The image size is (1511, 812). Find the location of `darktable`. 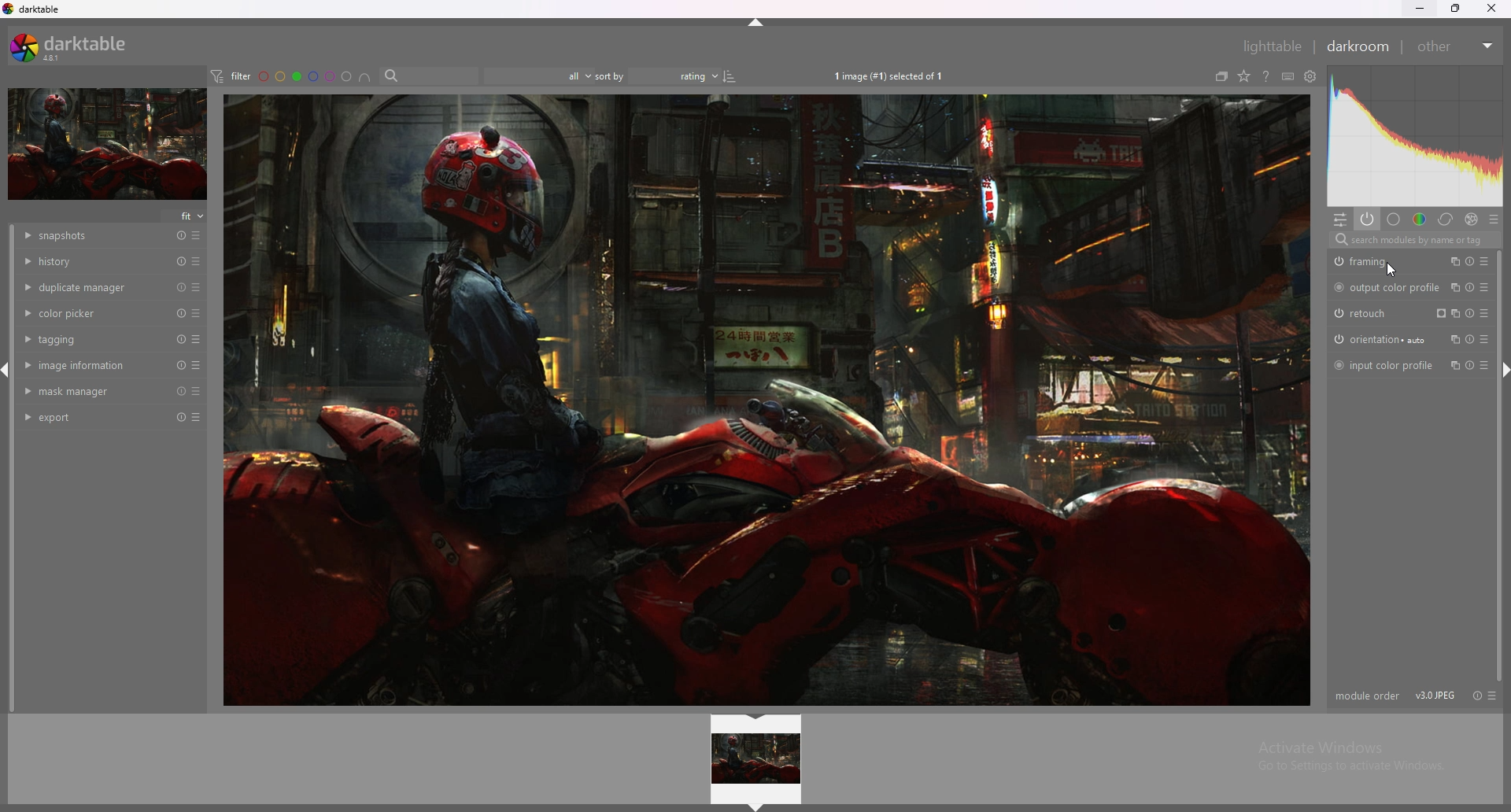

darktable is located at coordinates (33, 9).